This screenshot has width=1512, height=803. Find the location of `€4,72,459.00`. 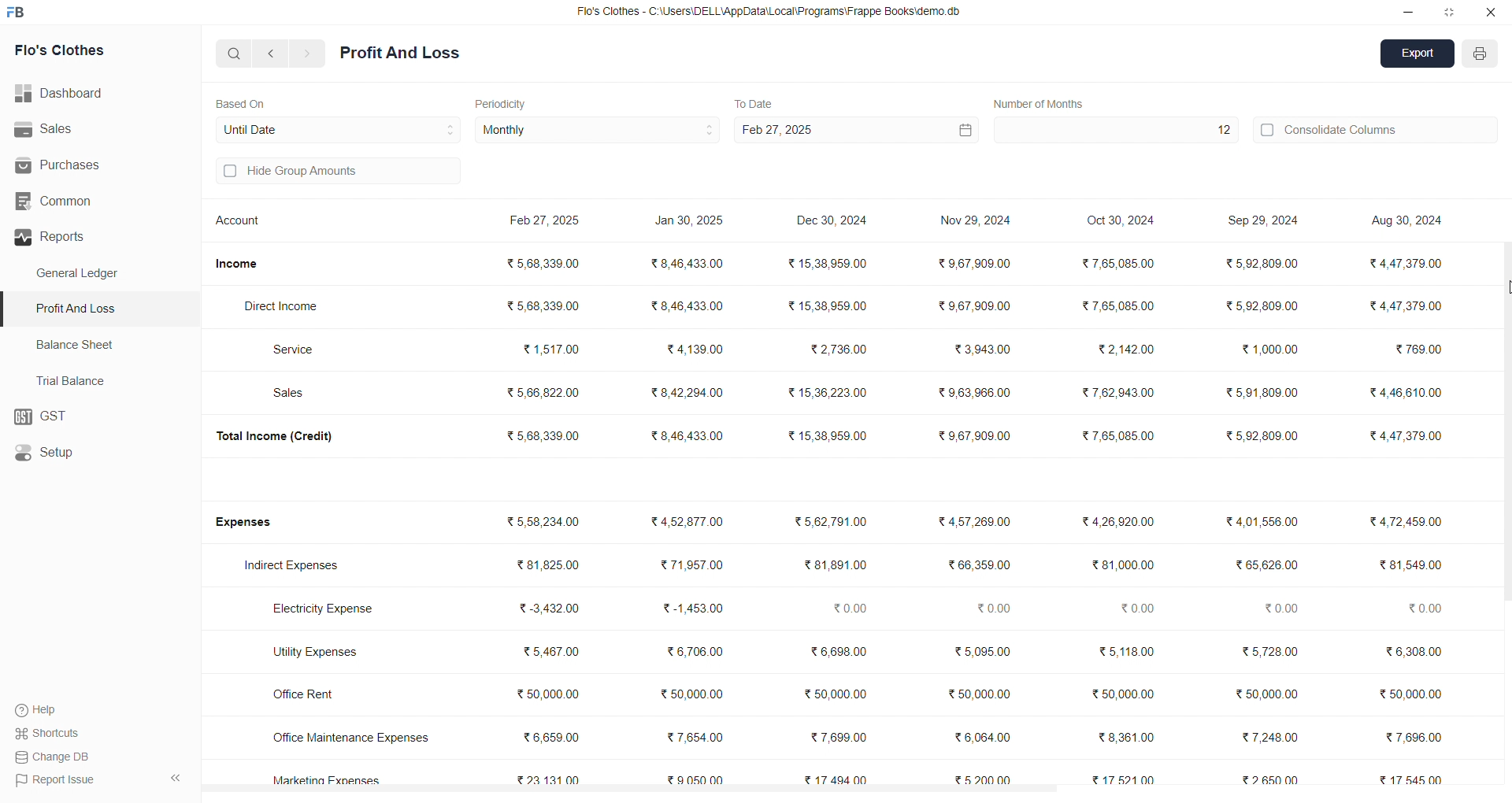

€4,72,459.00 is located at coordinates (1398, 522).